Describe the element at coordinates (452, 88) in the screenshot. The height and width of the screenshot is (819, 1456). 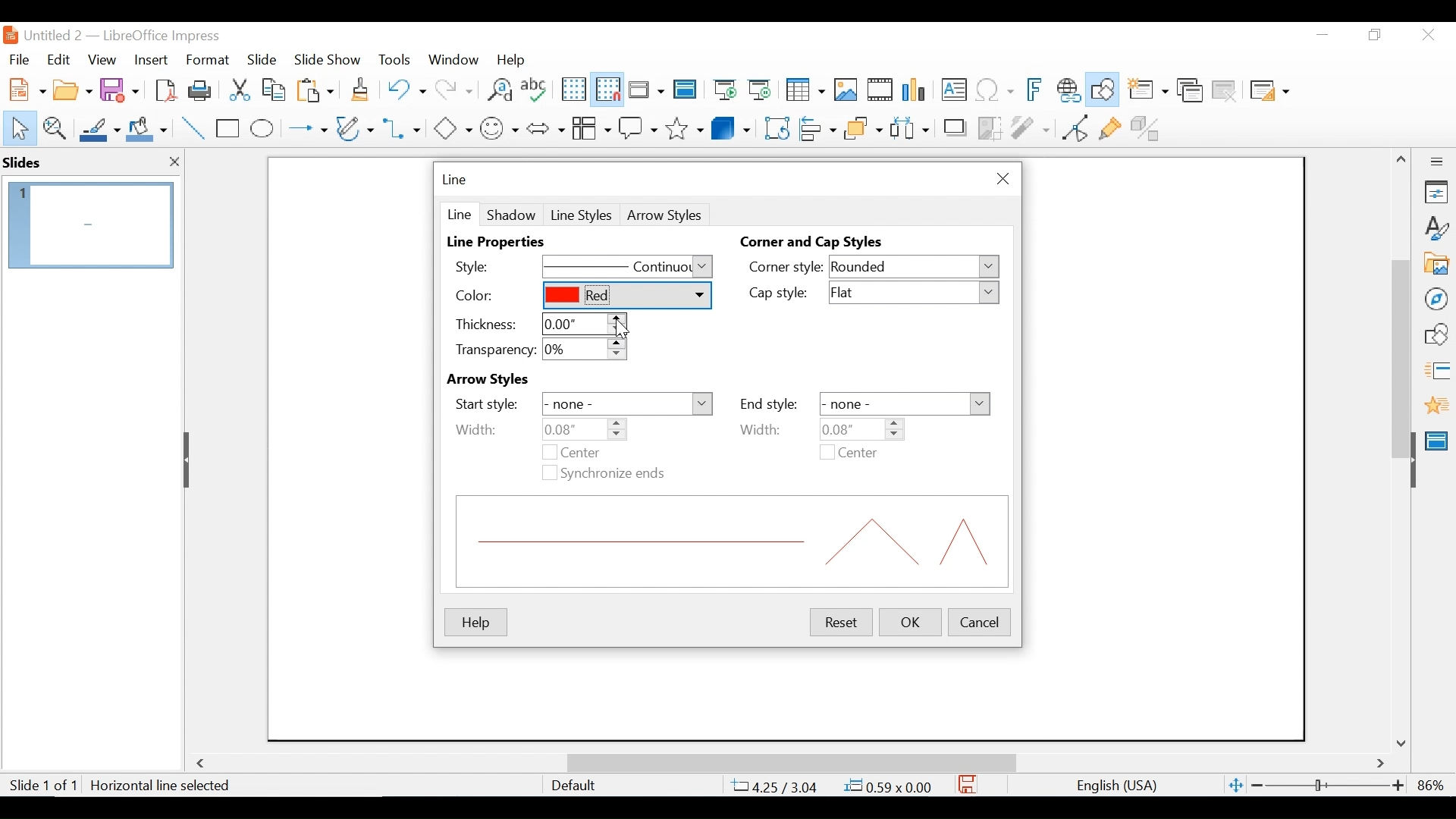
I see `Redo` at that location.